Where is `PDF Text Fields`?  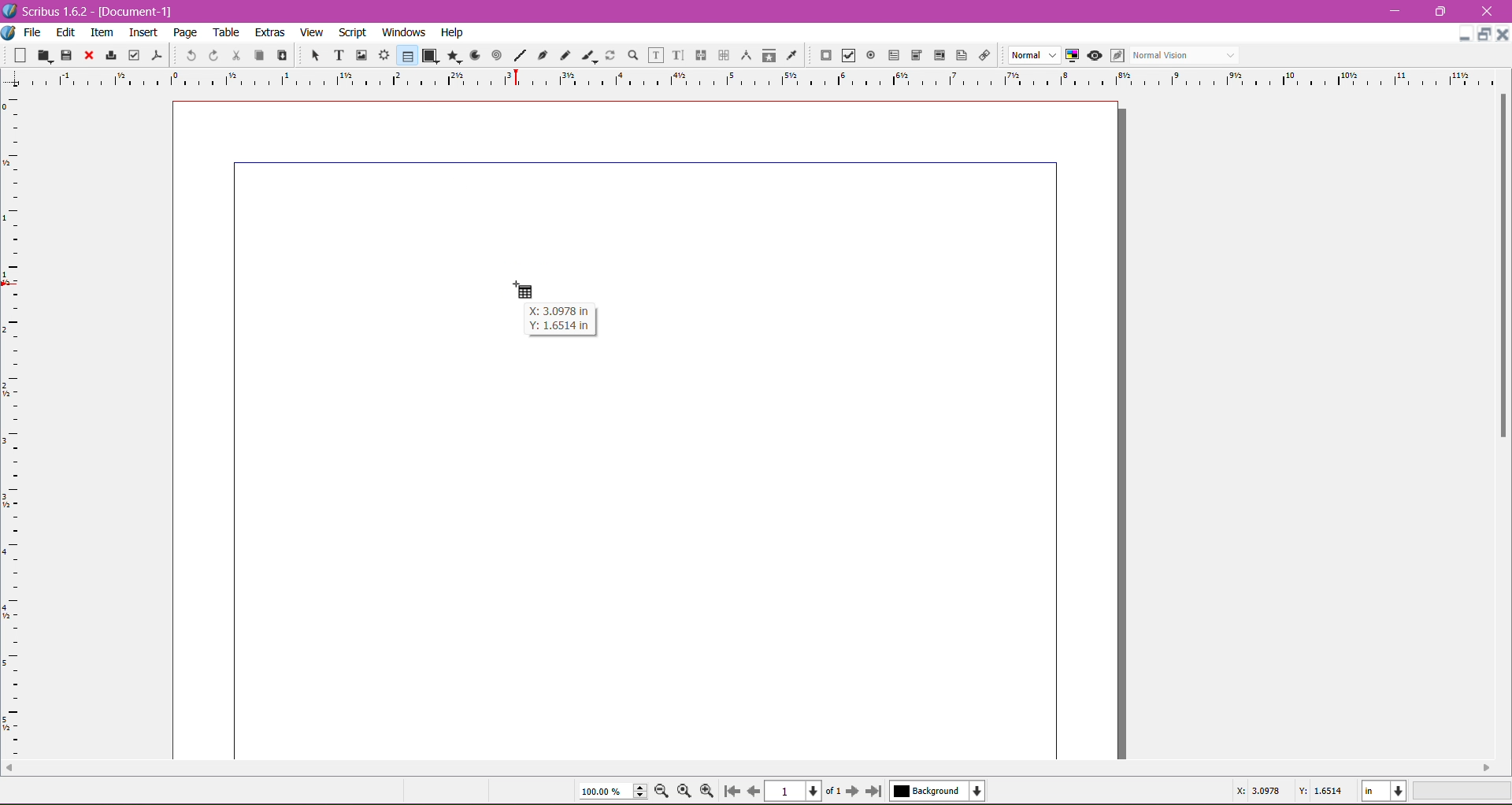 PDF Text Fields is located at coordinates (891, 56).